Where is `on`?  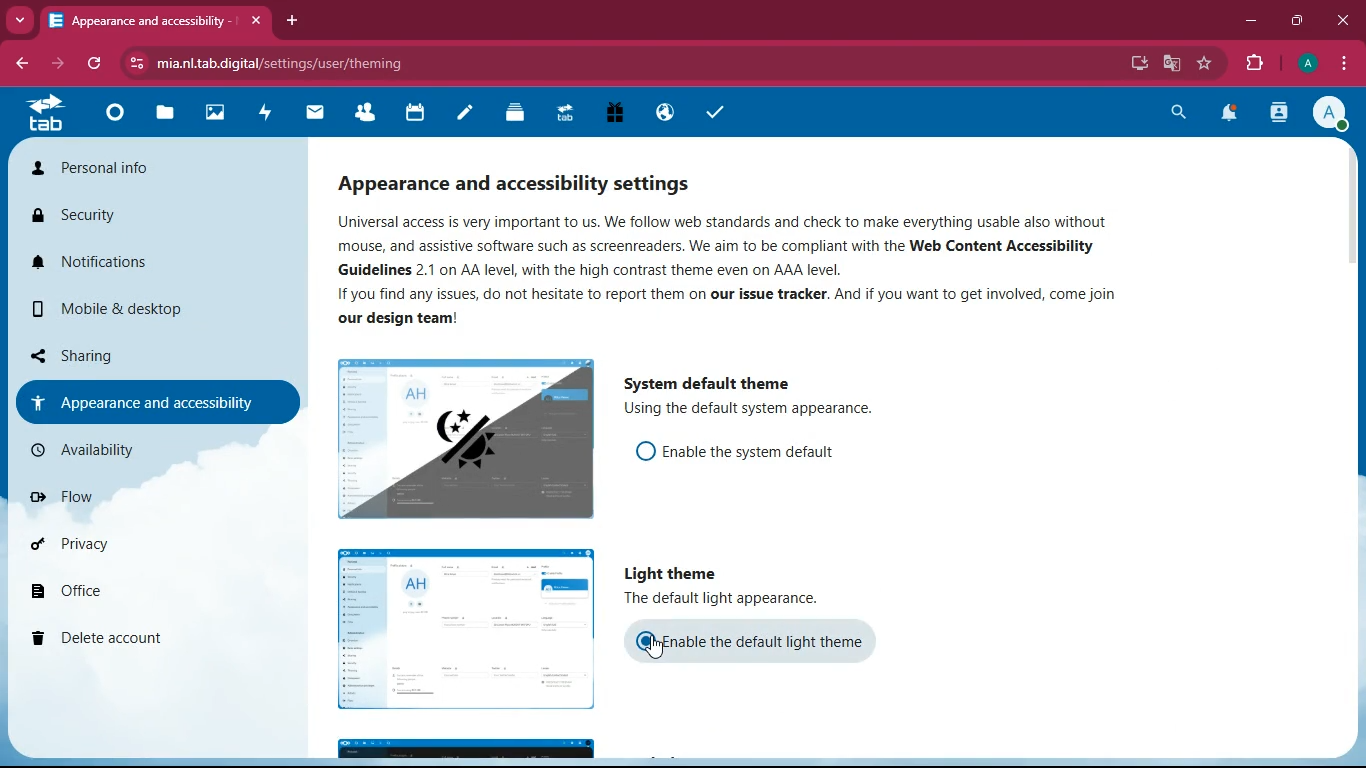
on is located at coordinates (648, 640).